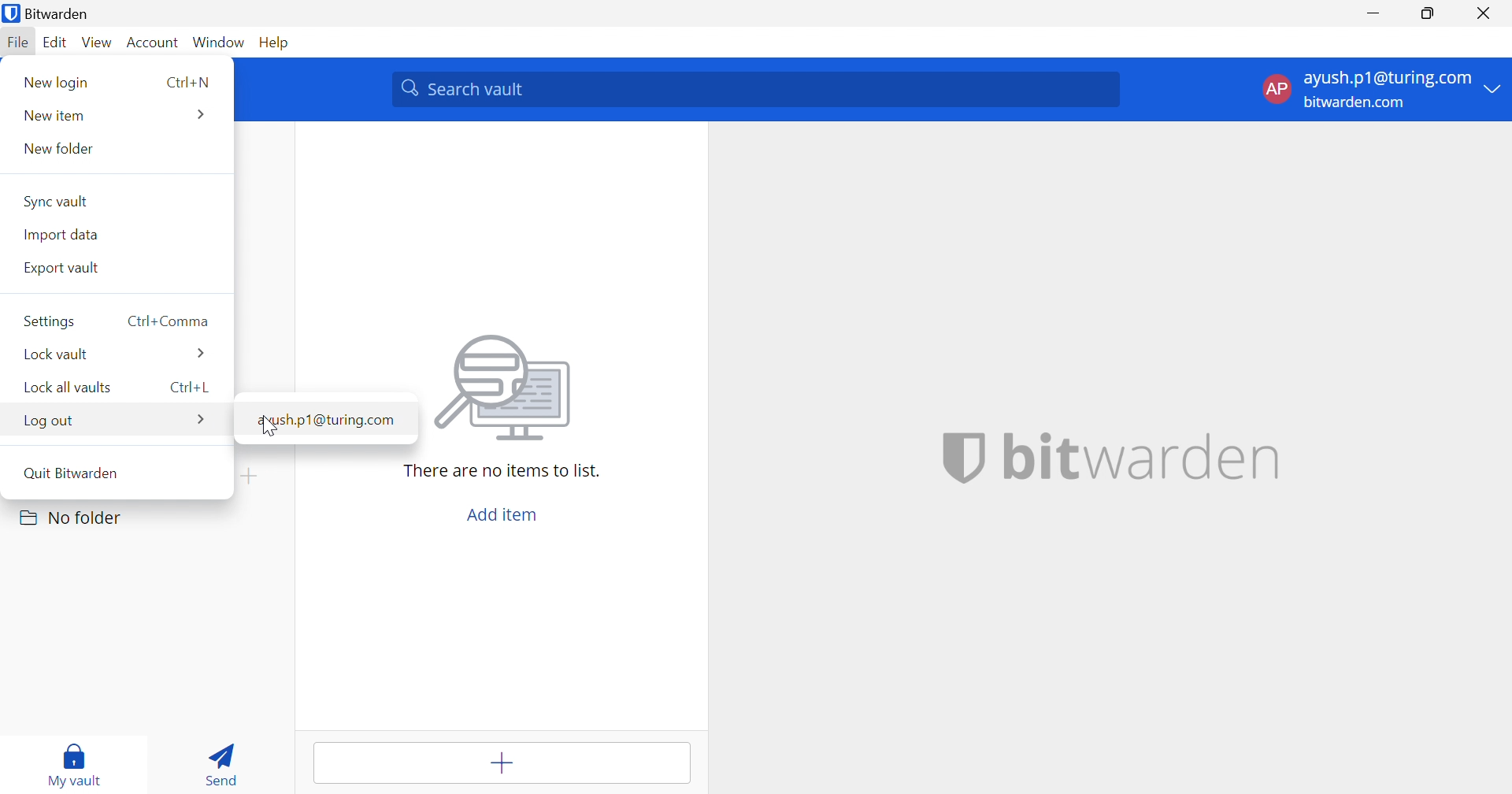  Describe the element at coordinates (199, 355) in the screenshot. I see `More` at that location.